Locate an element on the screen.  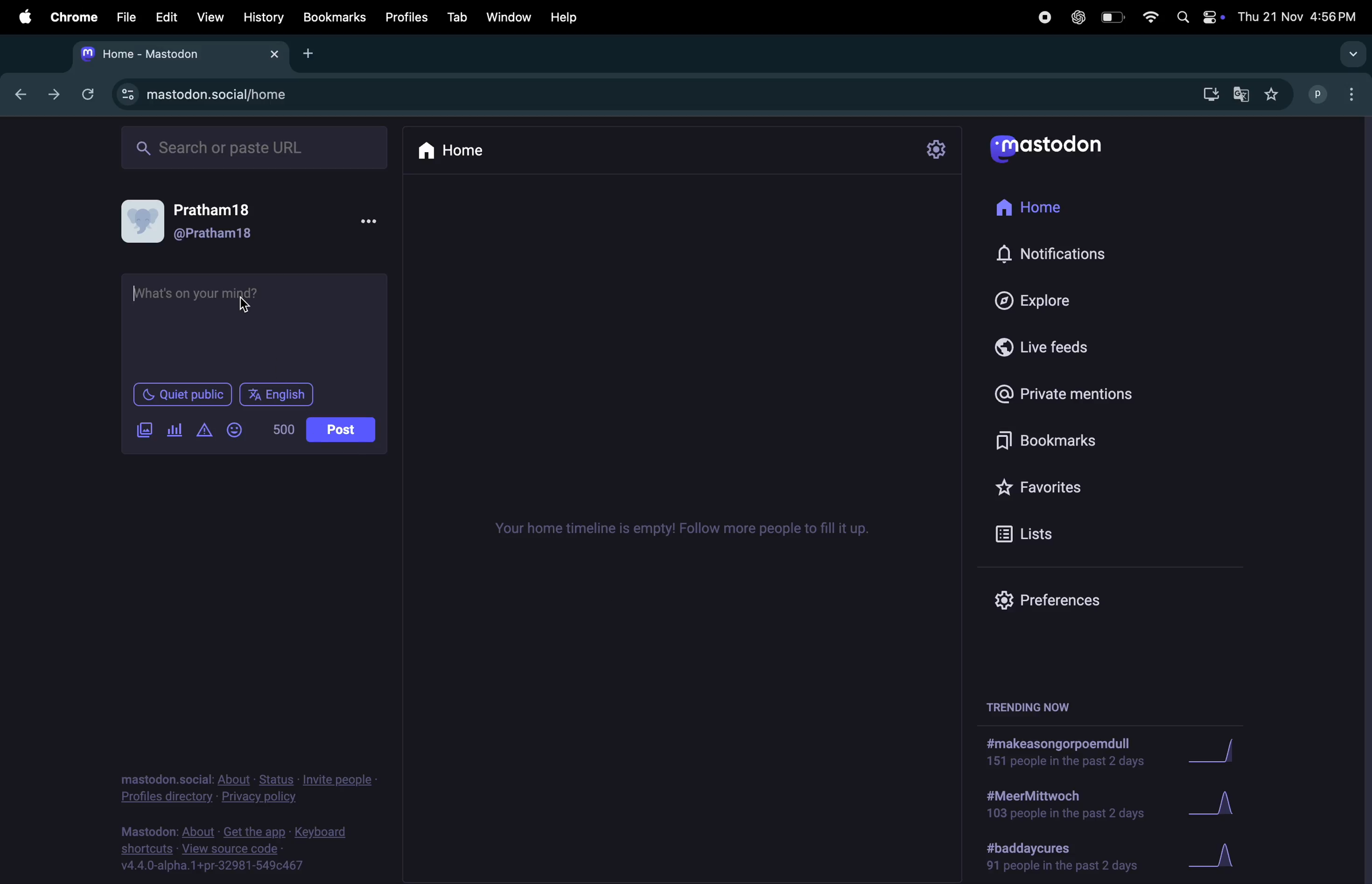
private mentions is located at coordinates (1066, 397).